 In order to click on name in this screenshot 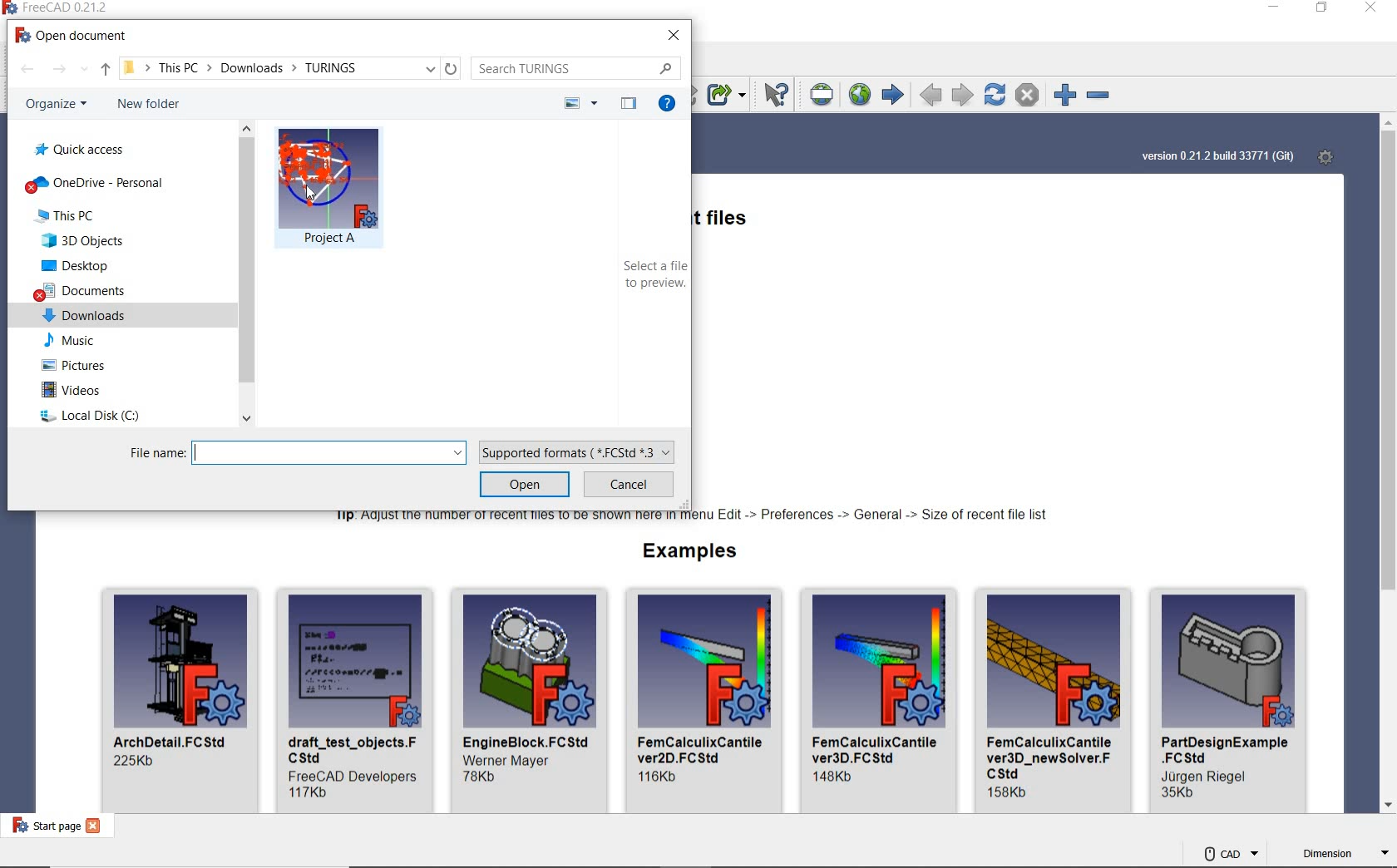, I will do `click(527, 740)`.